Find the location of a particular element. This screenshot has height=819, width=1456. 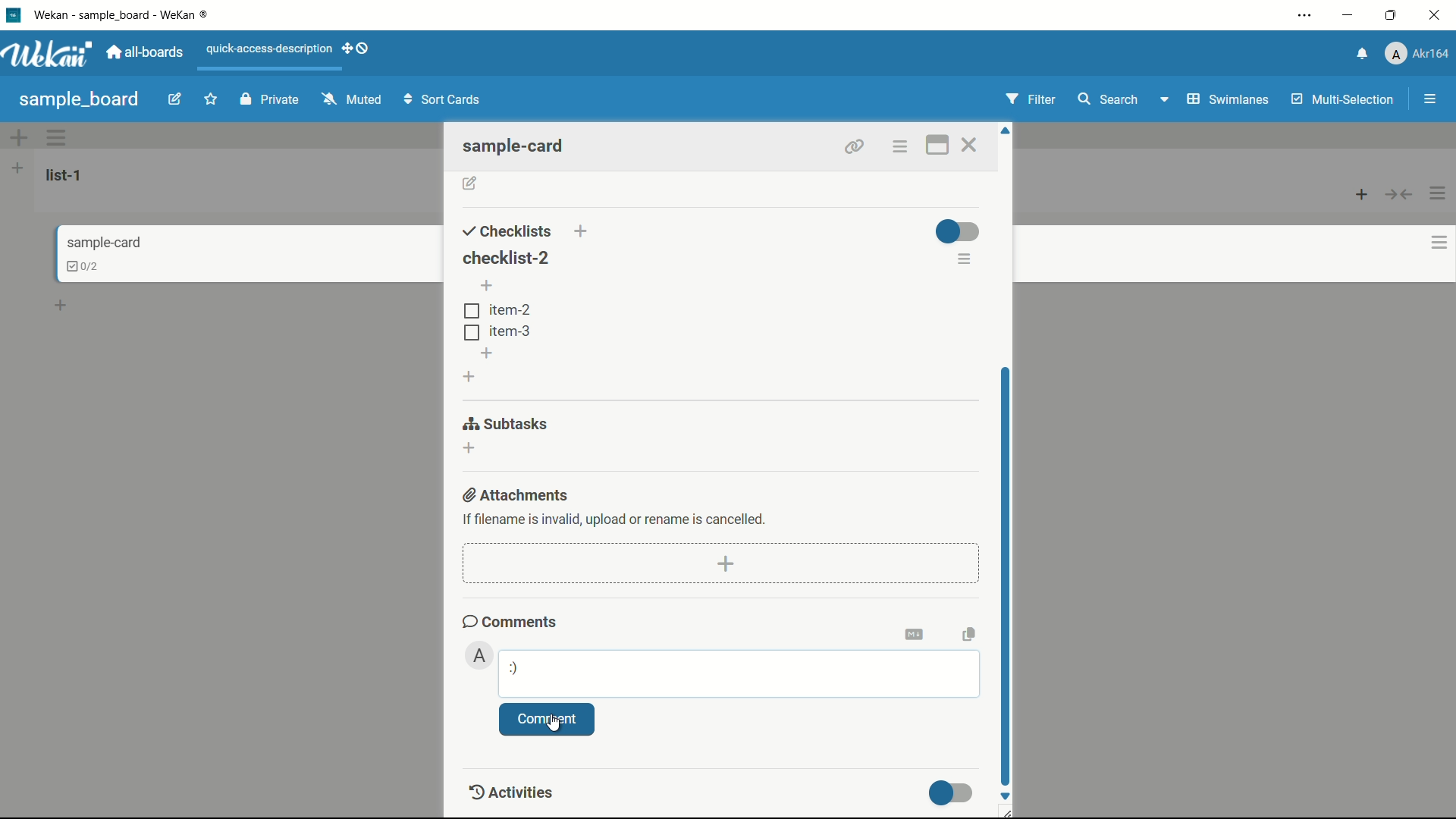

card name is located at coordinates (102, 243).